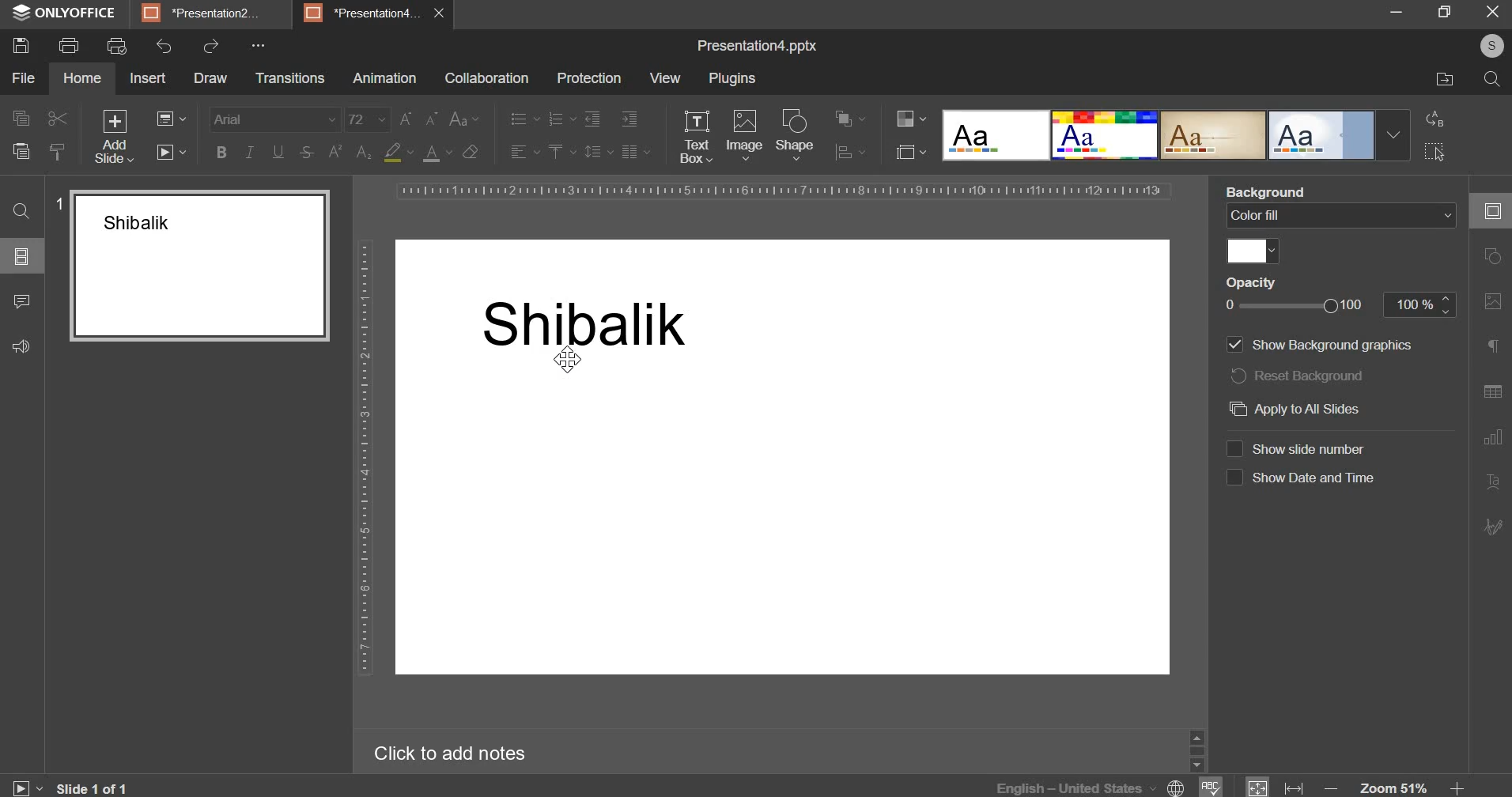 This screenshot has height=797, width=1512. I want to click on shapes, so click(1487, 260).